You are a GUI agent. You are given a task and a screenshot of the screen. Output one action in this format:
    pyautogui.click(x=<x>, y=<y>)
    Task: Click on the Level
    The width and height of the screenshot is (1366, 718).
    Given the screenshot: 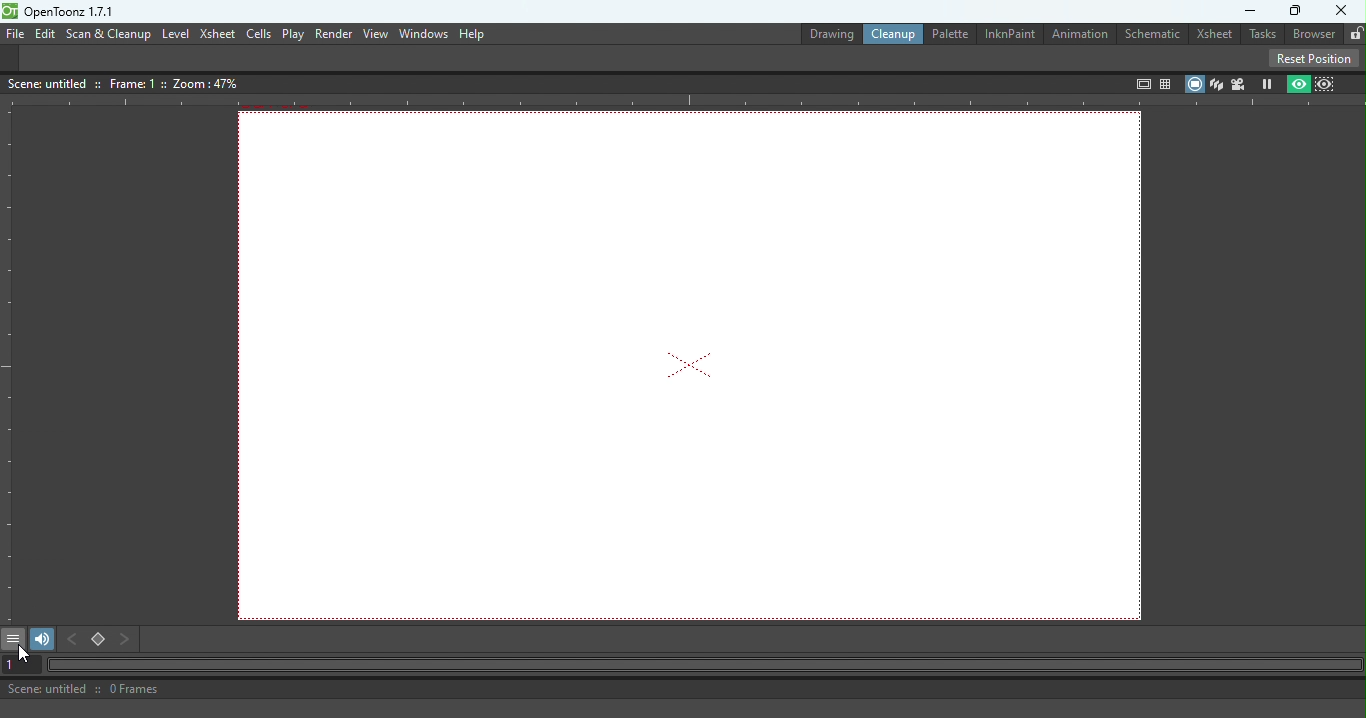 What is the action you would take?
    pyautogui.click(x=176, y=33)
    